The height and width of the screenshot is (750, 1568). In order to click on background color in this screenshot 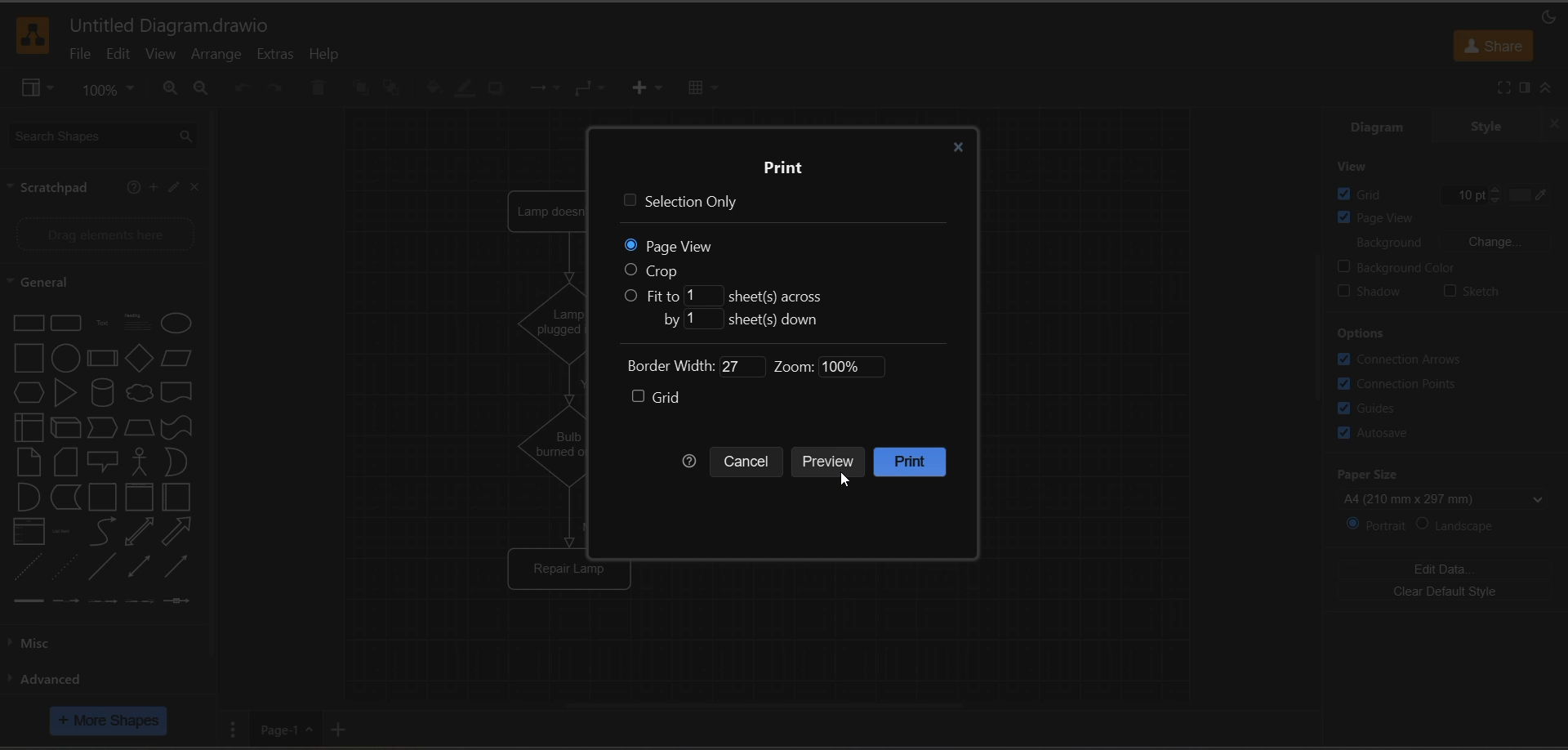, I will do `click(1416, 267)`.